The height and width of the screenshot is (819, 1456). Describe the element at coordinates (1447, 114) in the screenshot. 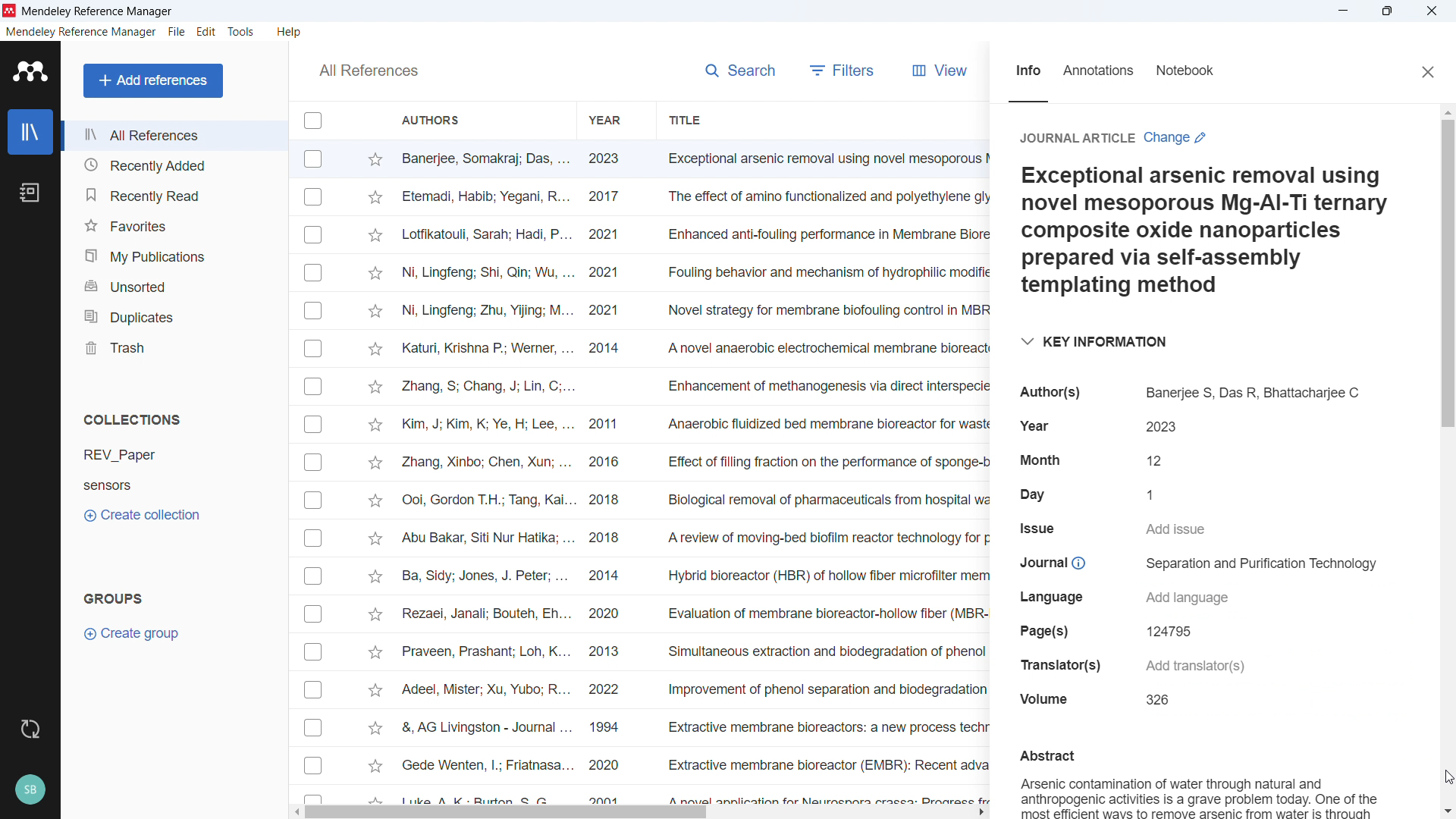

I see `Scroll up ` at that location.